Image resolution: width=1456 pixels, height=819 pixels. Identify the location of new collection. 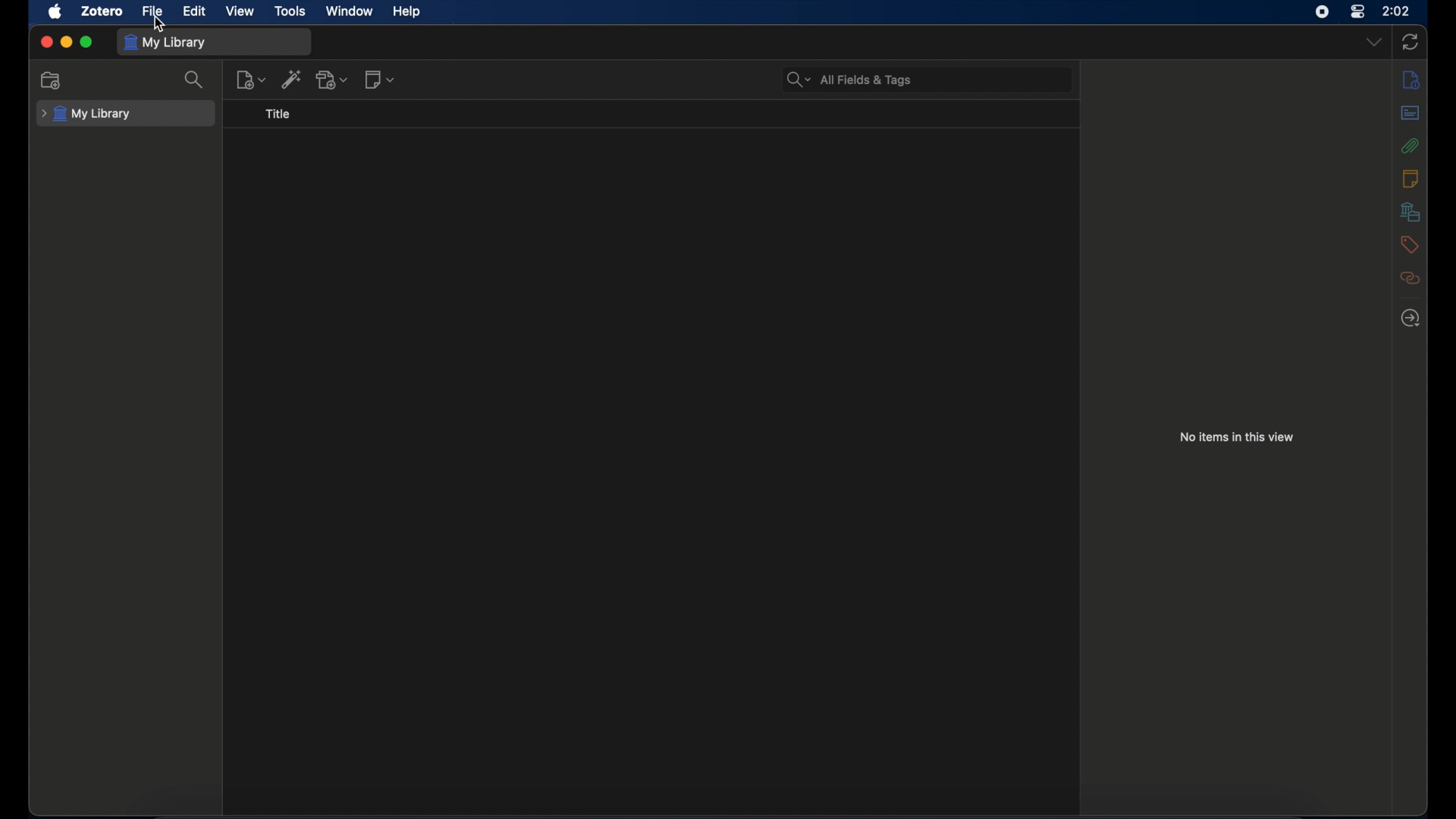
(53, 80).